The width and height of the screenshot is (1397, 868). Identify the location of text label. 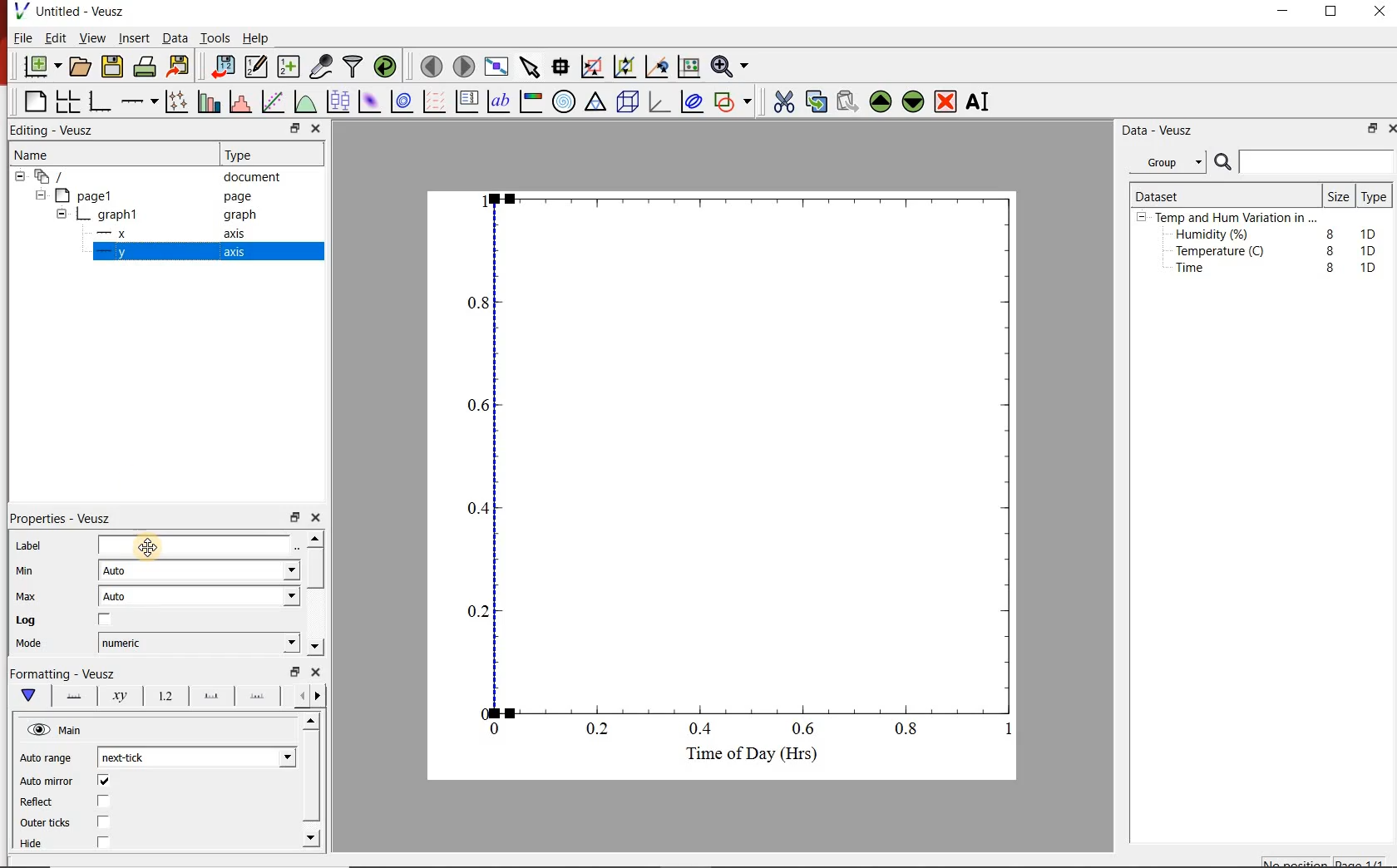
(502, 101).